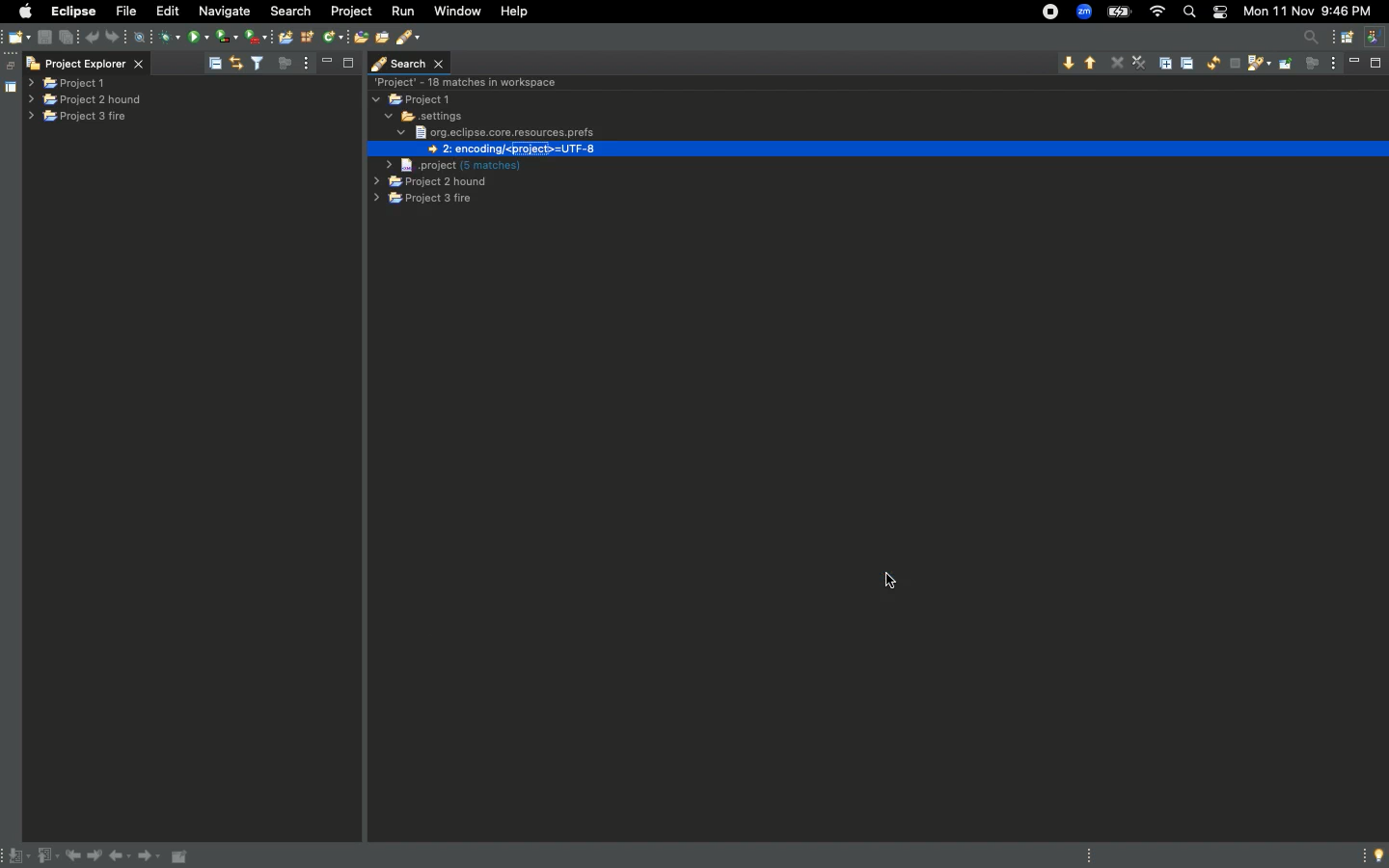 This screenshot has width=1389, height=868. I want to click on Run, so click(401, 12).